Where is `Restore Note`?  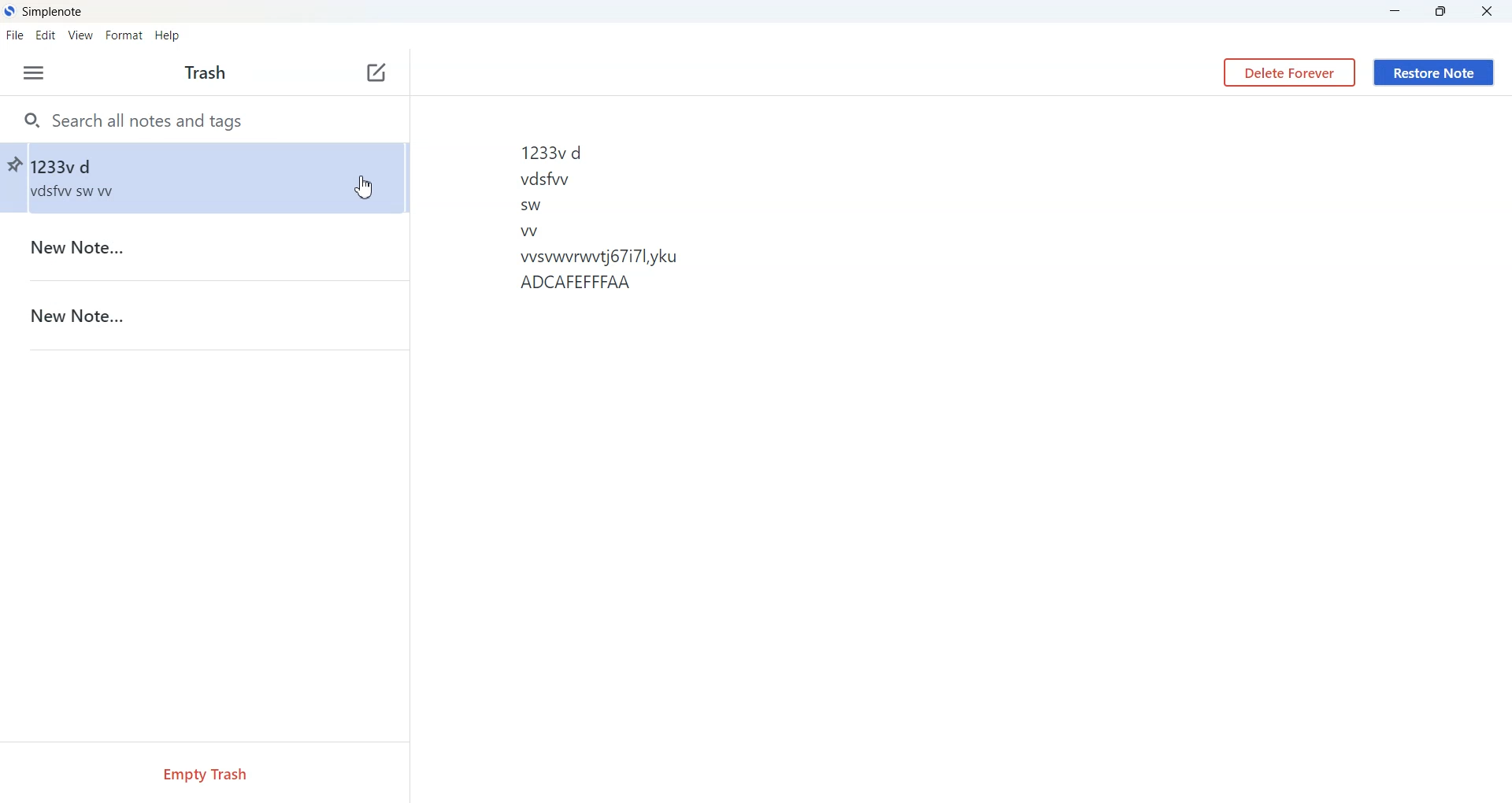
Restore Note is located at coordinates (1433, 73).